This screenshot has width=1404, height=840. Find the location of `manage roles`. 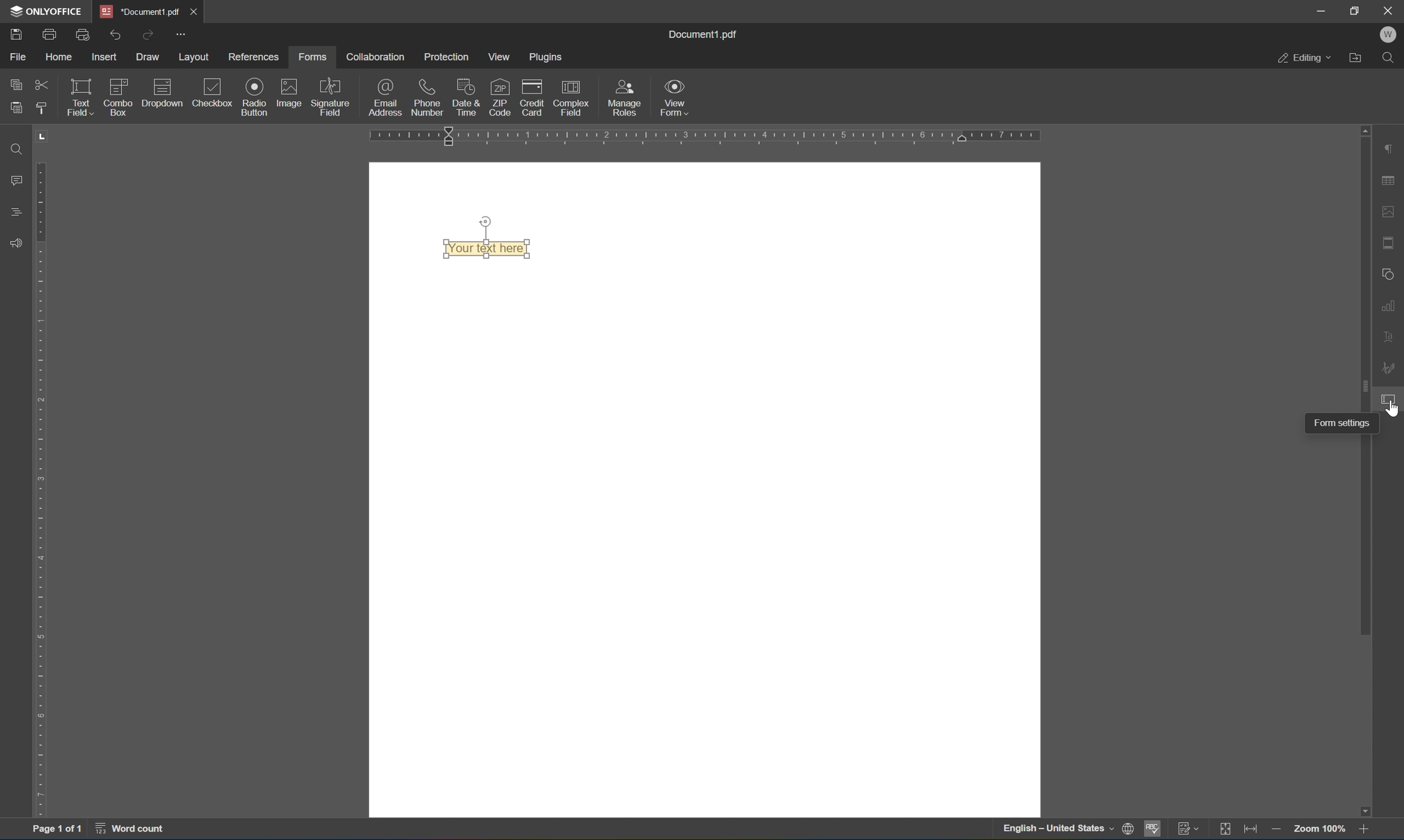

manage roles is located at coordinates (628, 98).